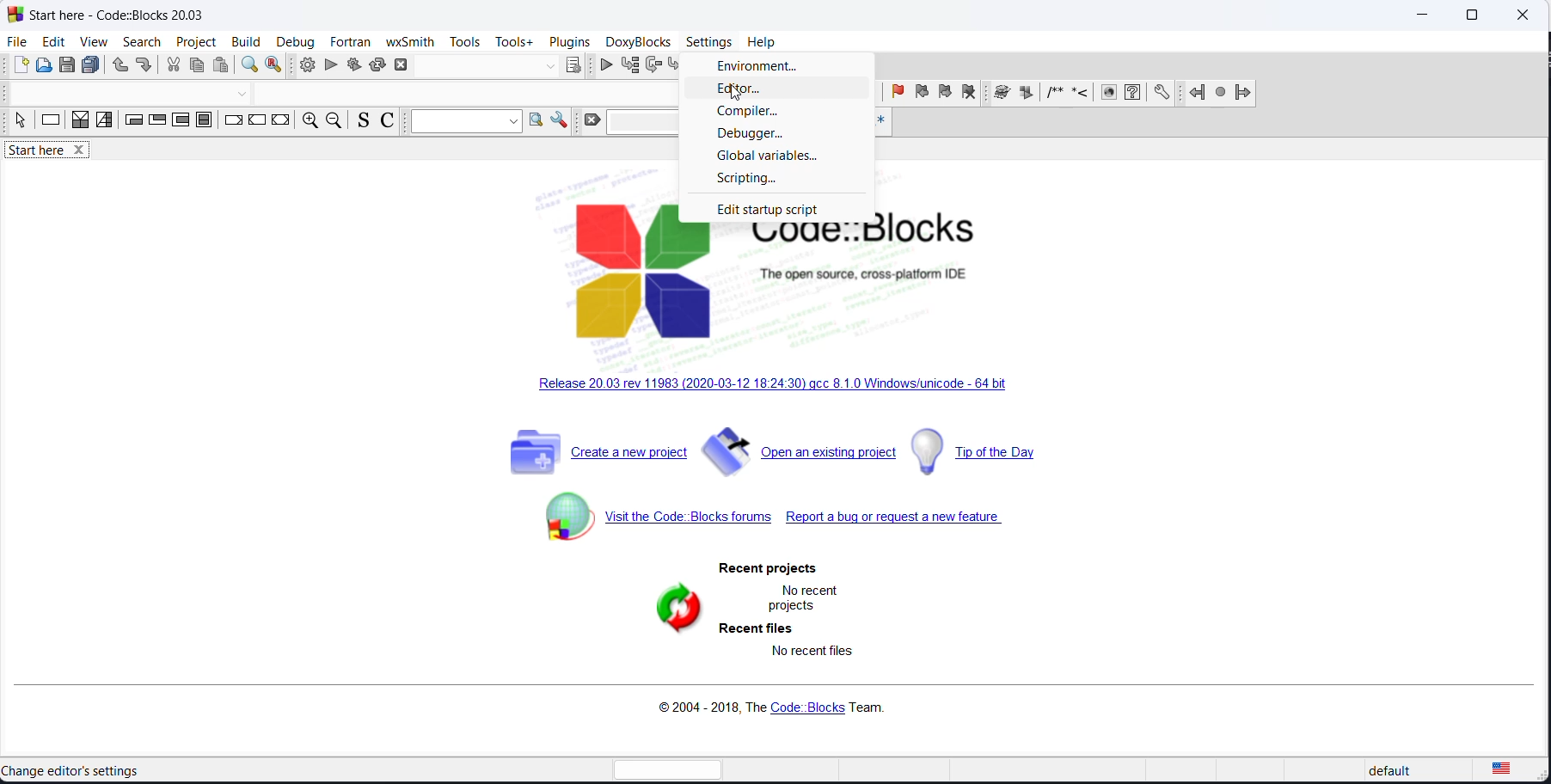  What do you see at coordinates (348, 40) in the screenshot?
I see `fortran` at bounding box center [348, 40].